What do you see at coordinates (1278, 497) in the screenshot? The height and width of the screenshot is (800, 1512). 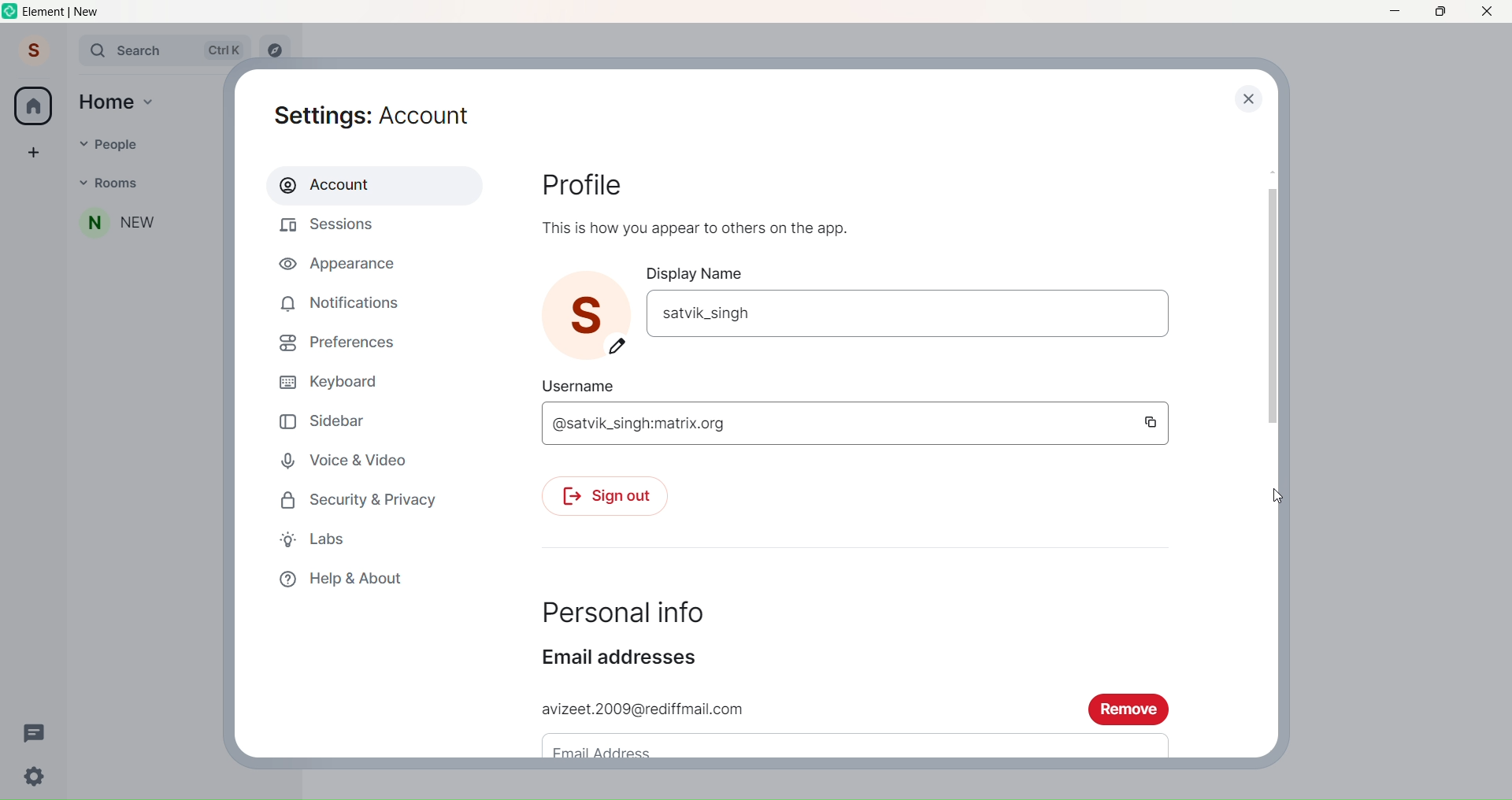 I see `cursor` at bounding box center [1278, 497].